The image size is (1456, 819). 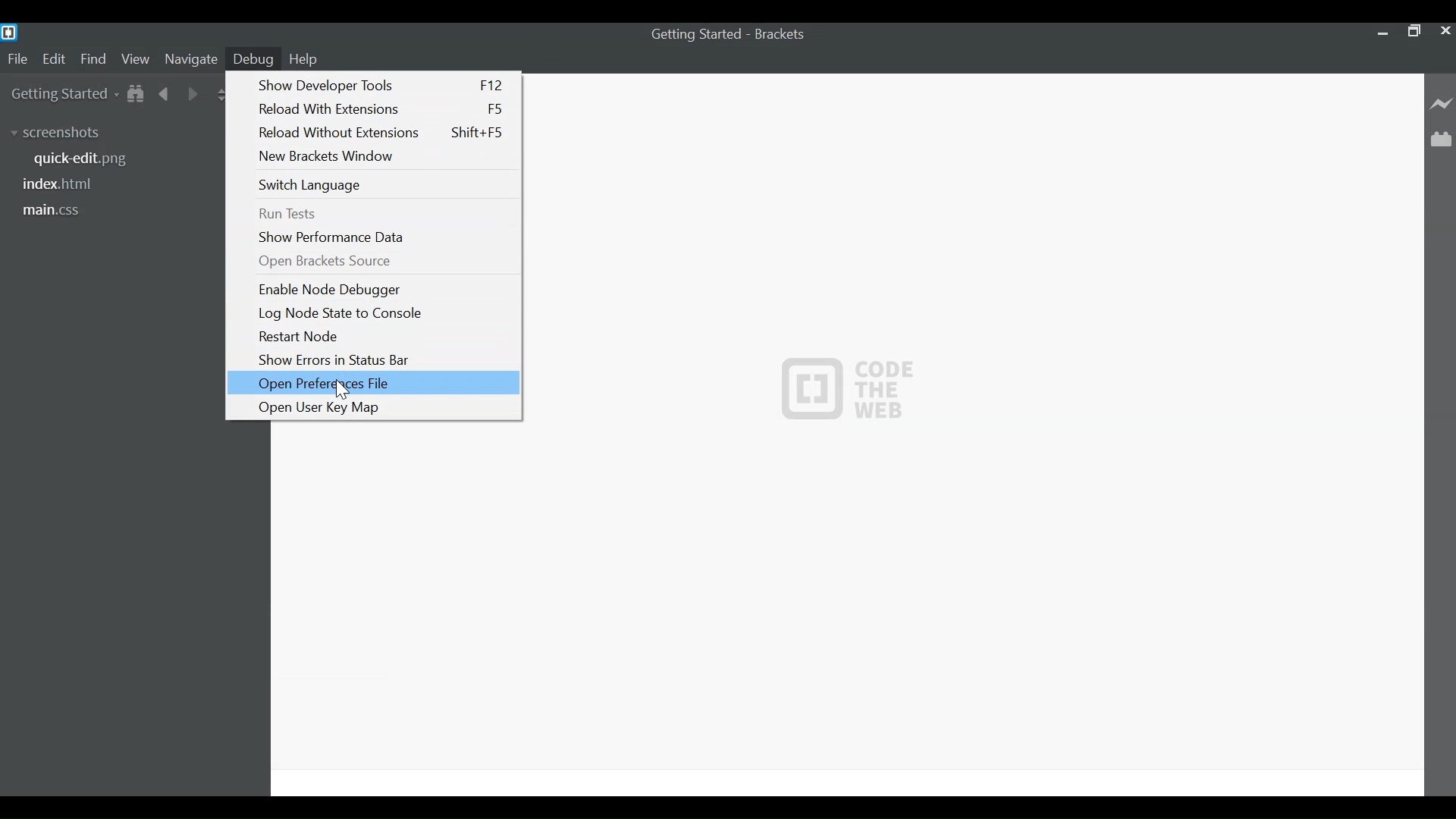 I want to click on Show Developer Tools, so click(x=385, y=87).